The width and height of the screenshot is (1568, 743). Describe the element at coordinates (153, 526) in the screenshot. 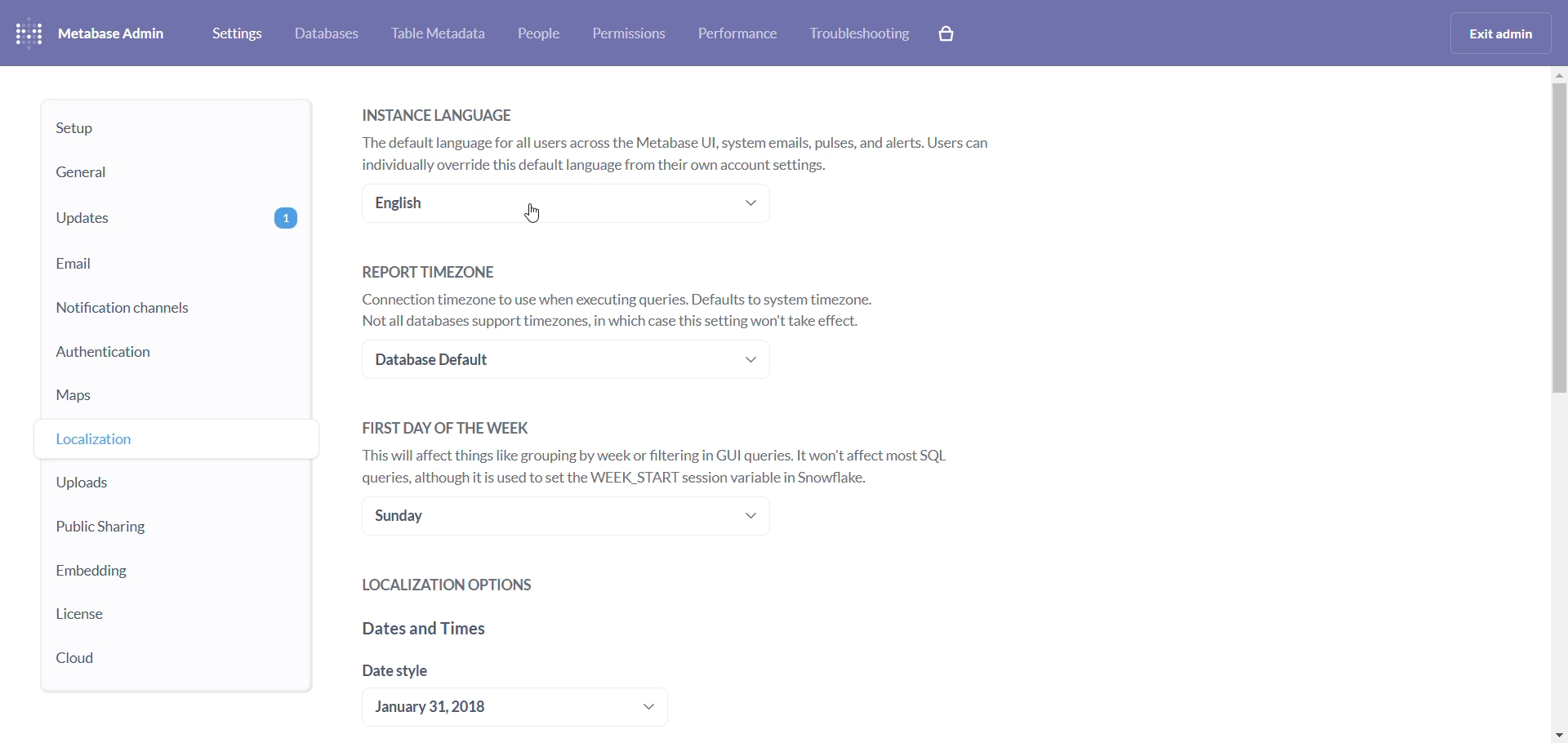

I see `public sharing` at that location.